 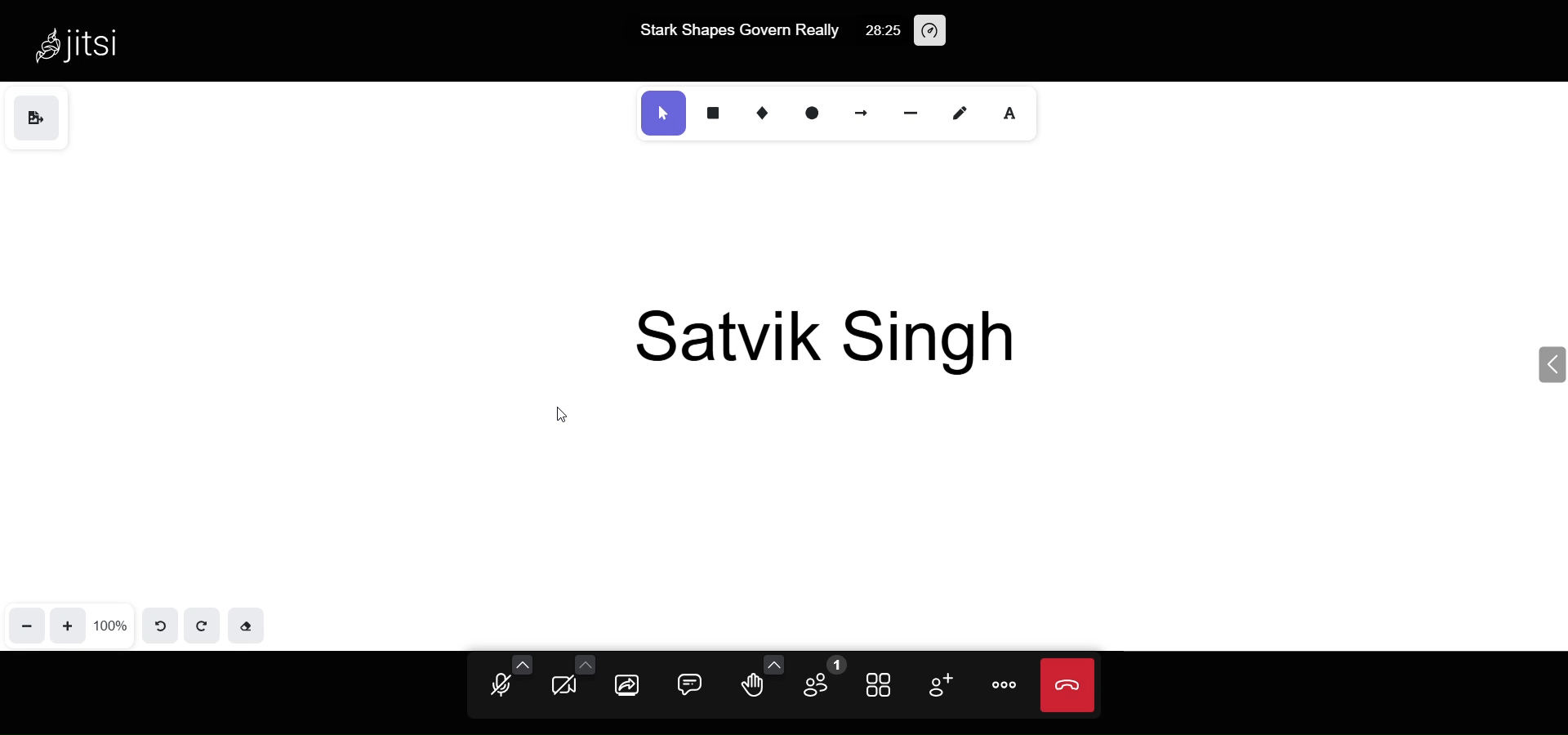 What do you see at coordinates (1006, 687) in the screenshot?
I see `more` at bounding box center [1006, 687].